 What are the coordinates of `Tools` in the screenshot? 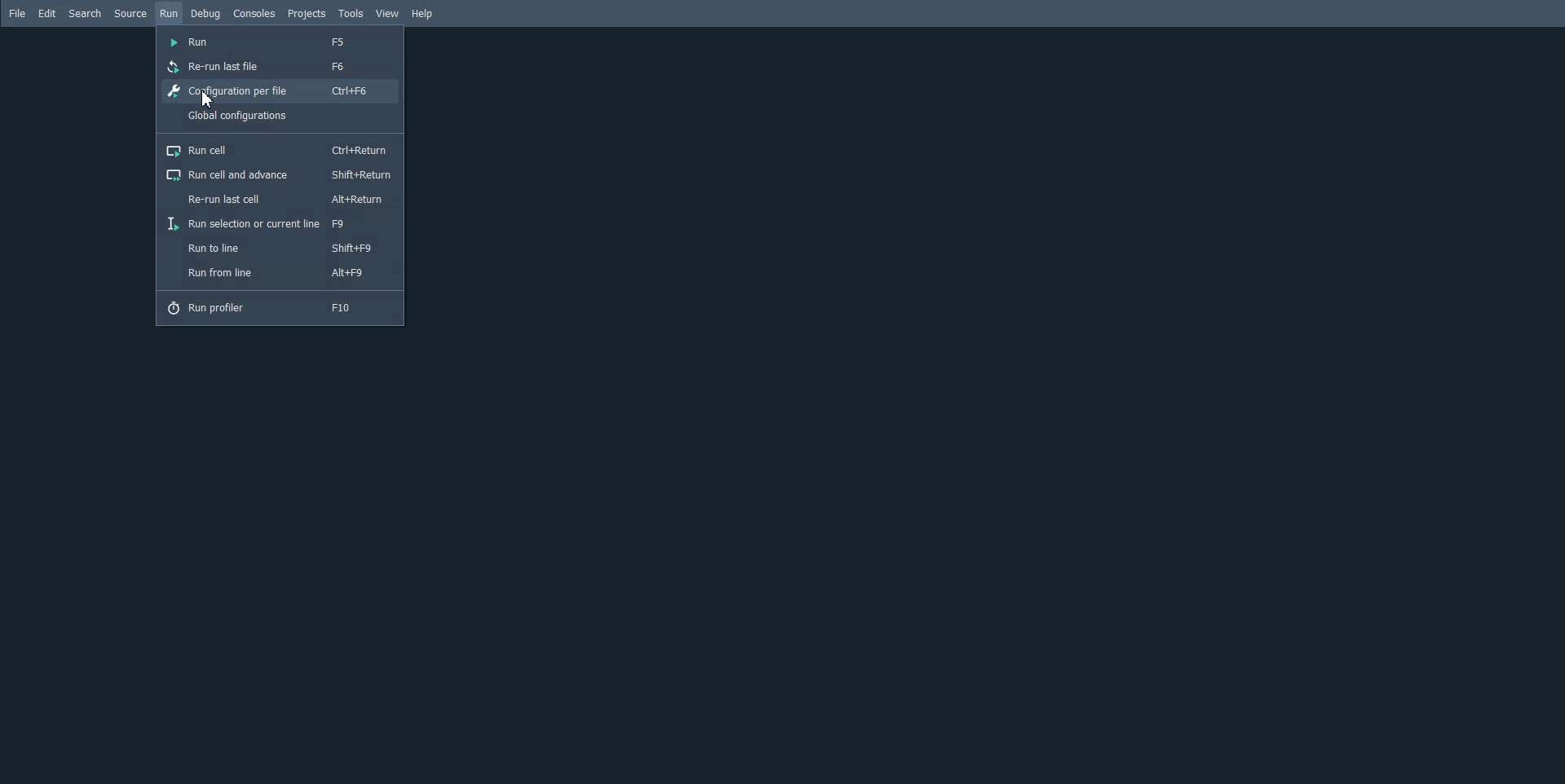 It's located at (350, 13).